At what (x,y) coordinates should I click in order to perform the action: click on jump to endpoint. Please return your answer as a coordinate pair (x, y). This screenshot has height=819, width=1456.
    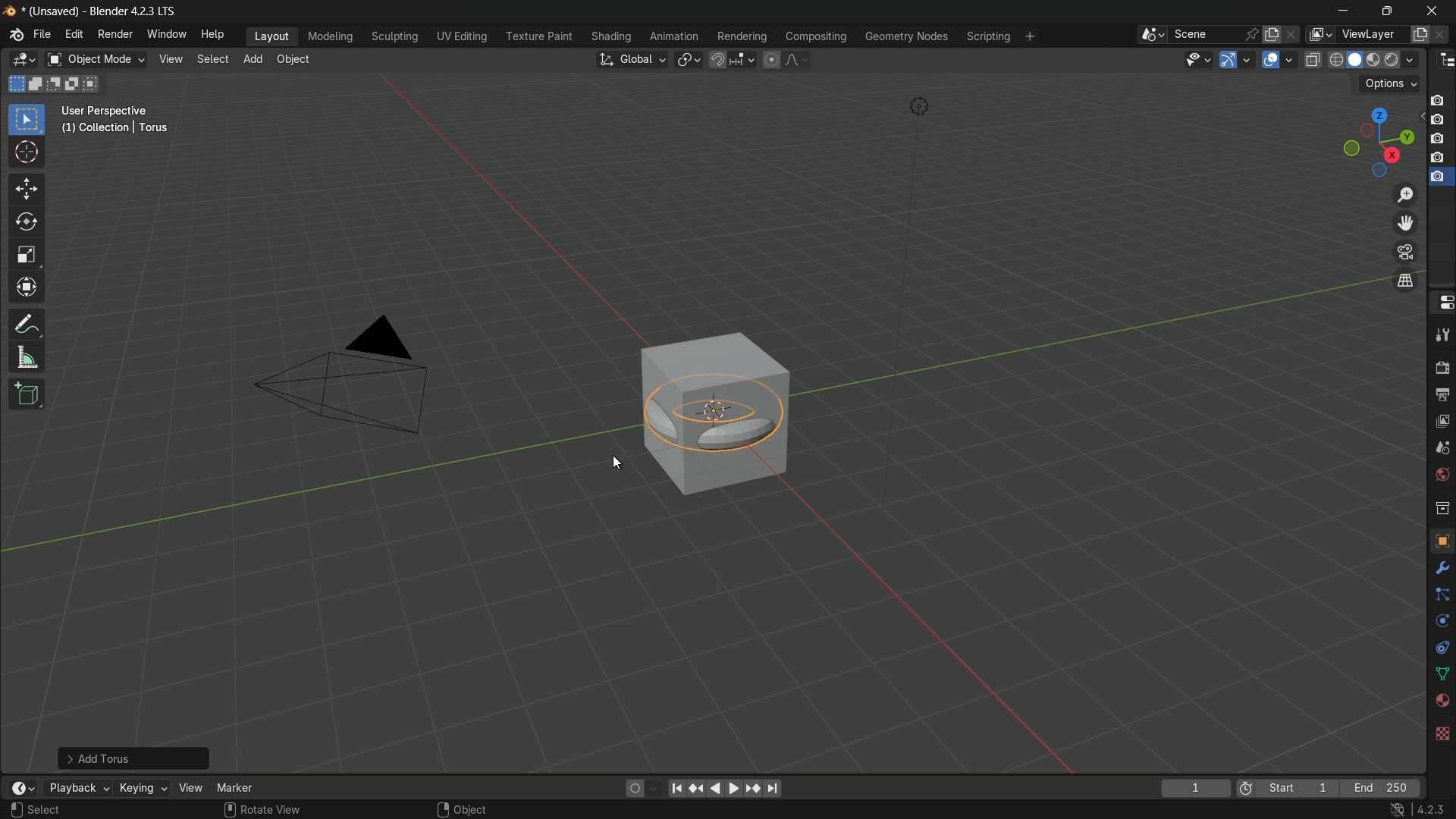
    Looking at the image, I should click on (674, 789).